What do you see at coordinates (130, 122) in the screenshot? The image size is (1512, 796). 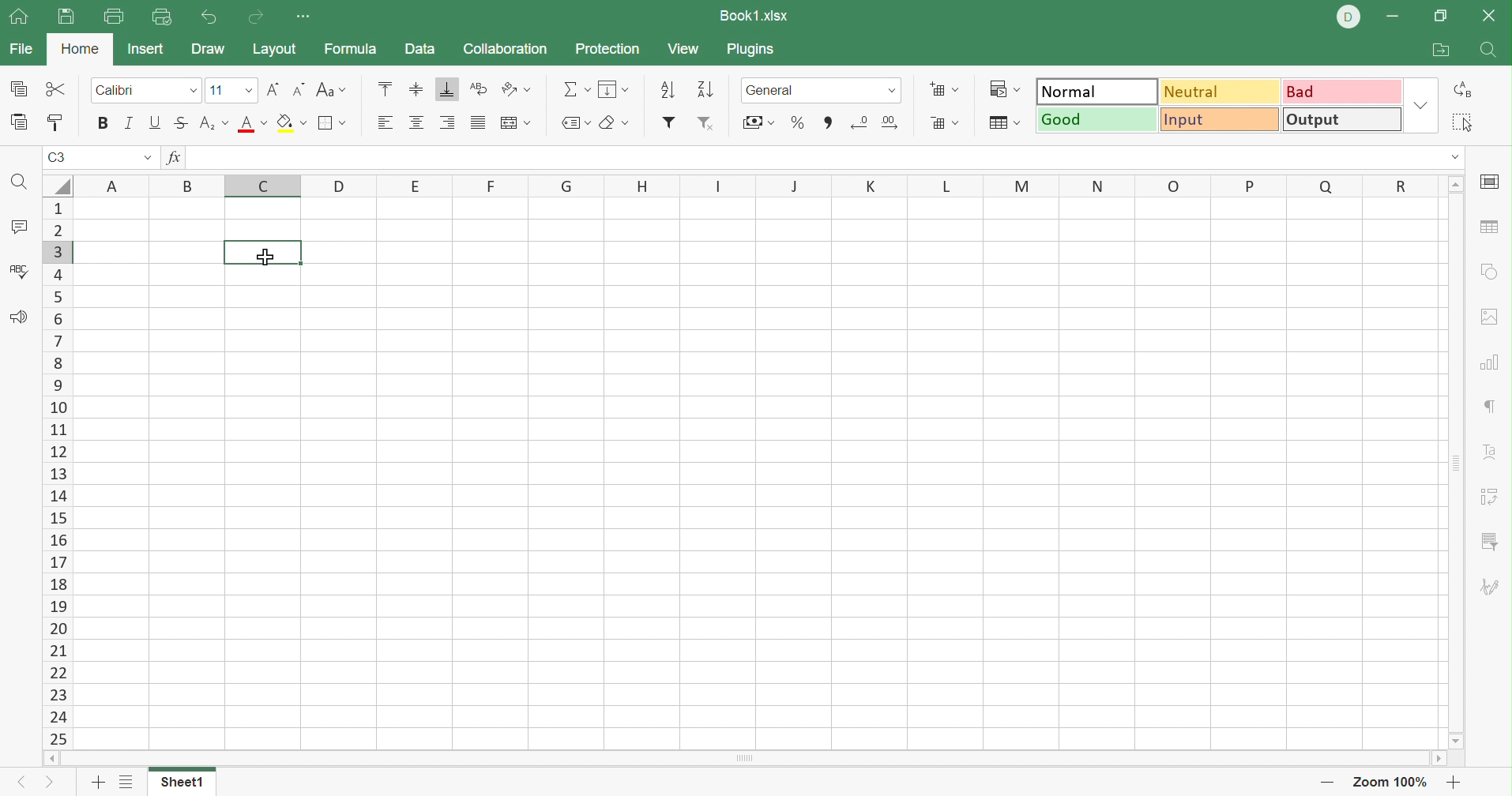 I see `Italic` at bounding box center [130, 122].